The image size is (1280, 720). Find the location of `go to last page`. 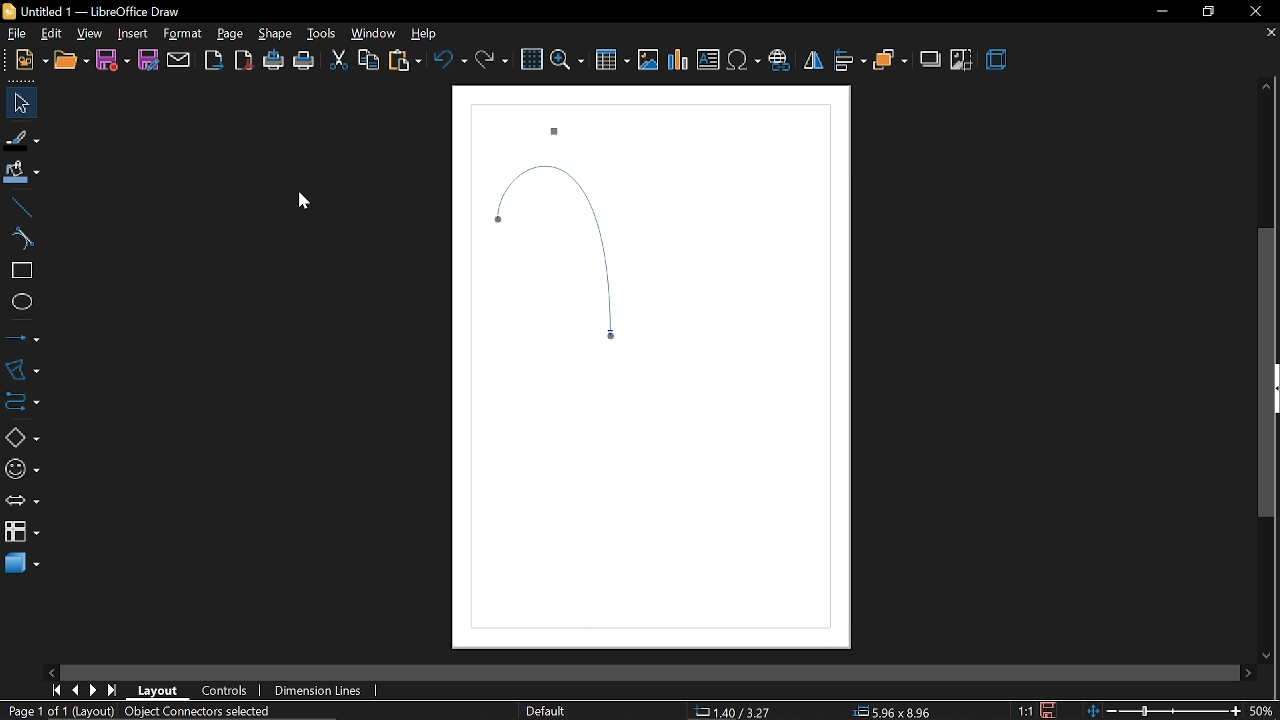

go to last page is located at coordinates (114, 690).